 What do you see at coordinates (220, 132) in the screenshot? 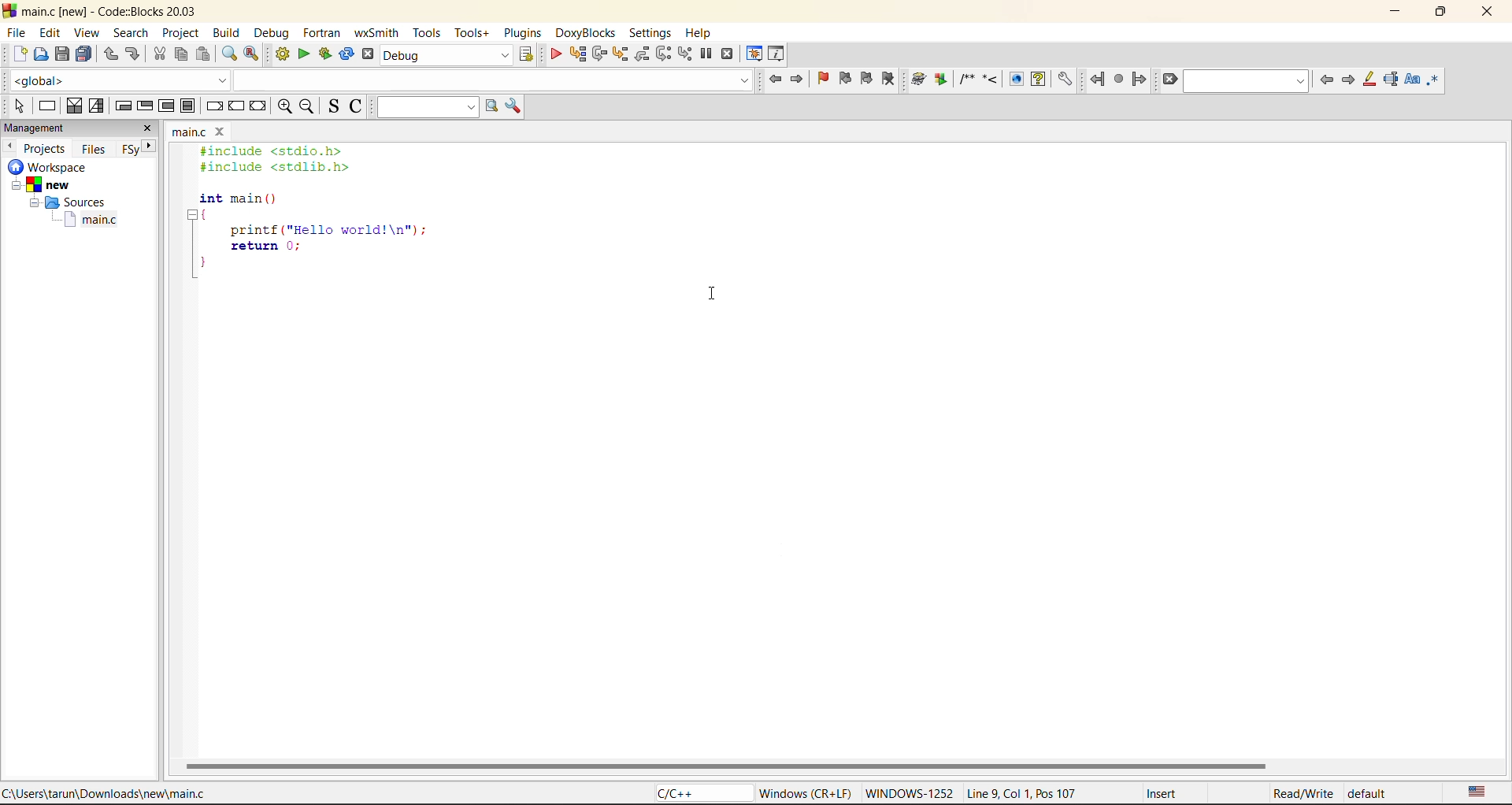
I see `close` at bounding box center [220, 132].